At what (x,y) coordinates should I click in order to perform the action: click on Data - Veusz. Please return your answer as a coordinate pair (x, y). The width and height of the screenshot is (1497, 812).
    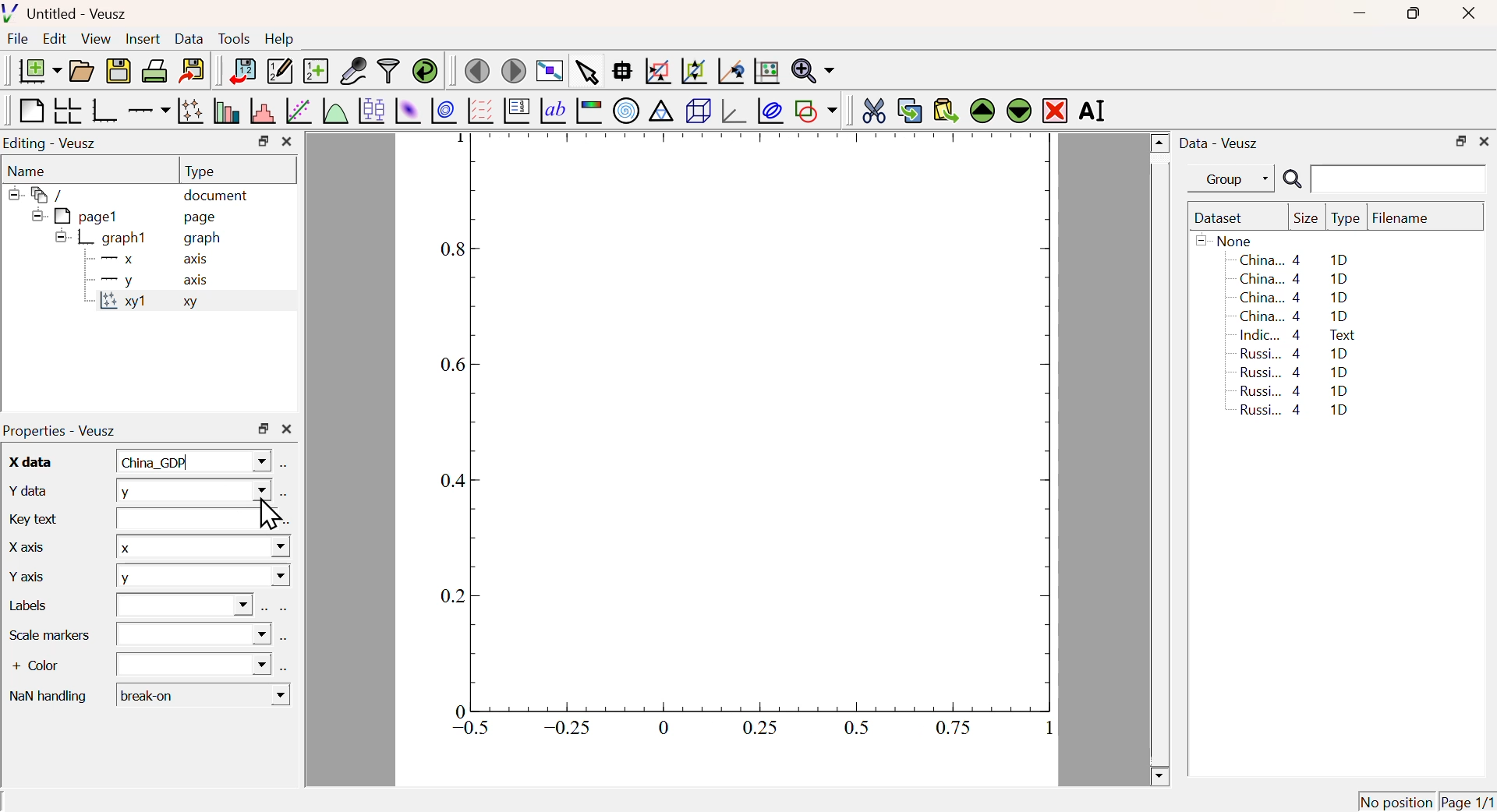
    Looking at the image, I should click on (1222, 144).